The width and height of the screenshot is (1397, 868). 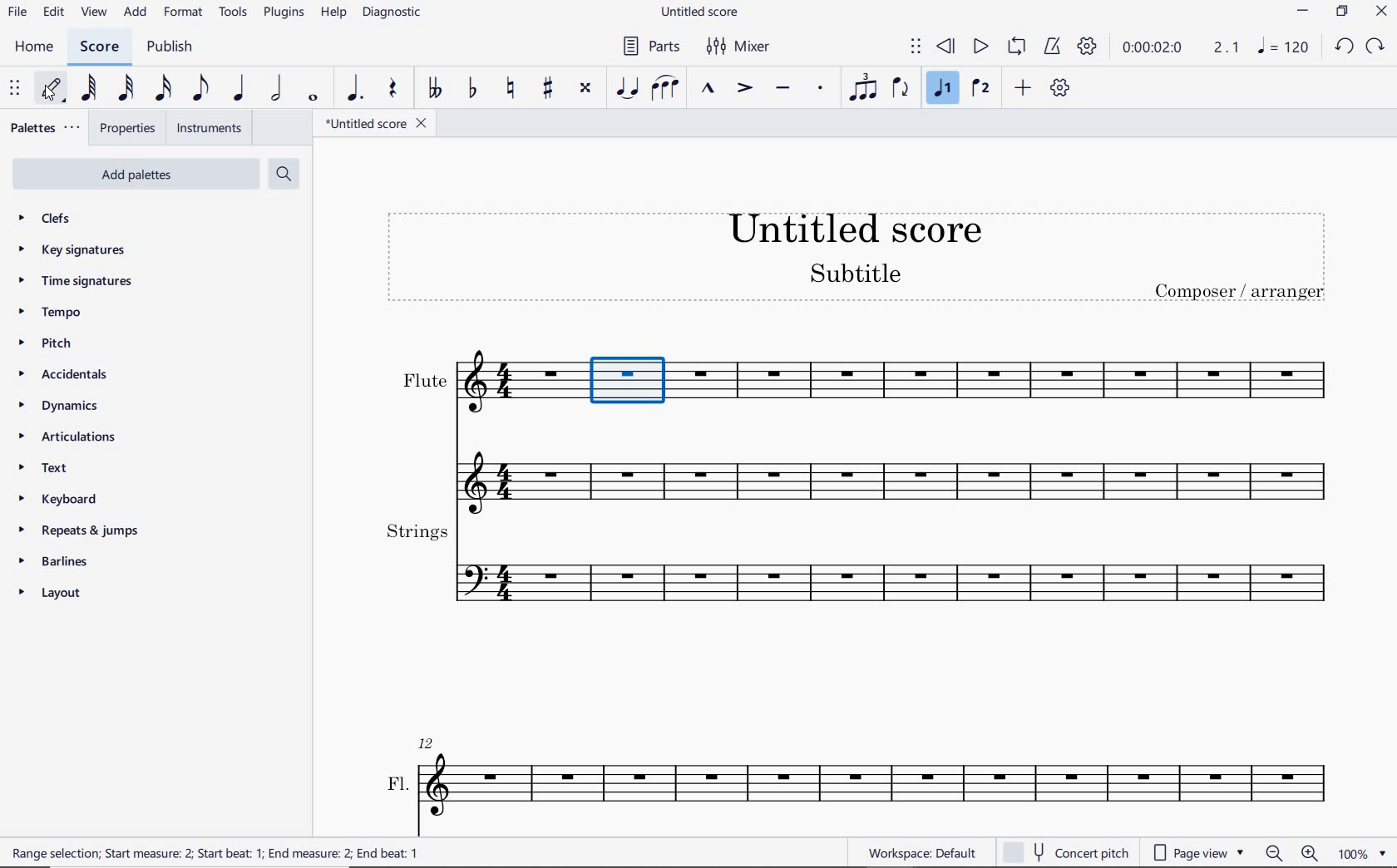 What do you see at coordinates (1088, 49) in the screenshot?
I see `PLAYBACK SETTINGS` at bounding box center [1088, 49].